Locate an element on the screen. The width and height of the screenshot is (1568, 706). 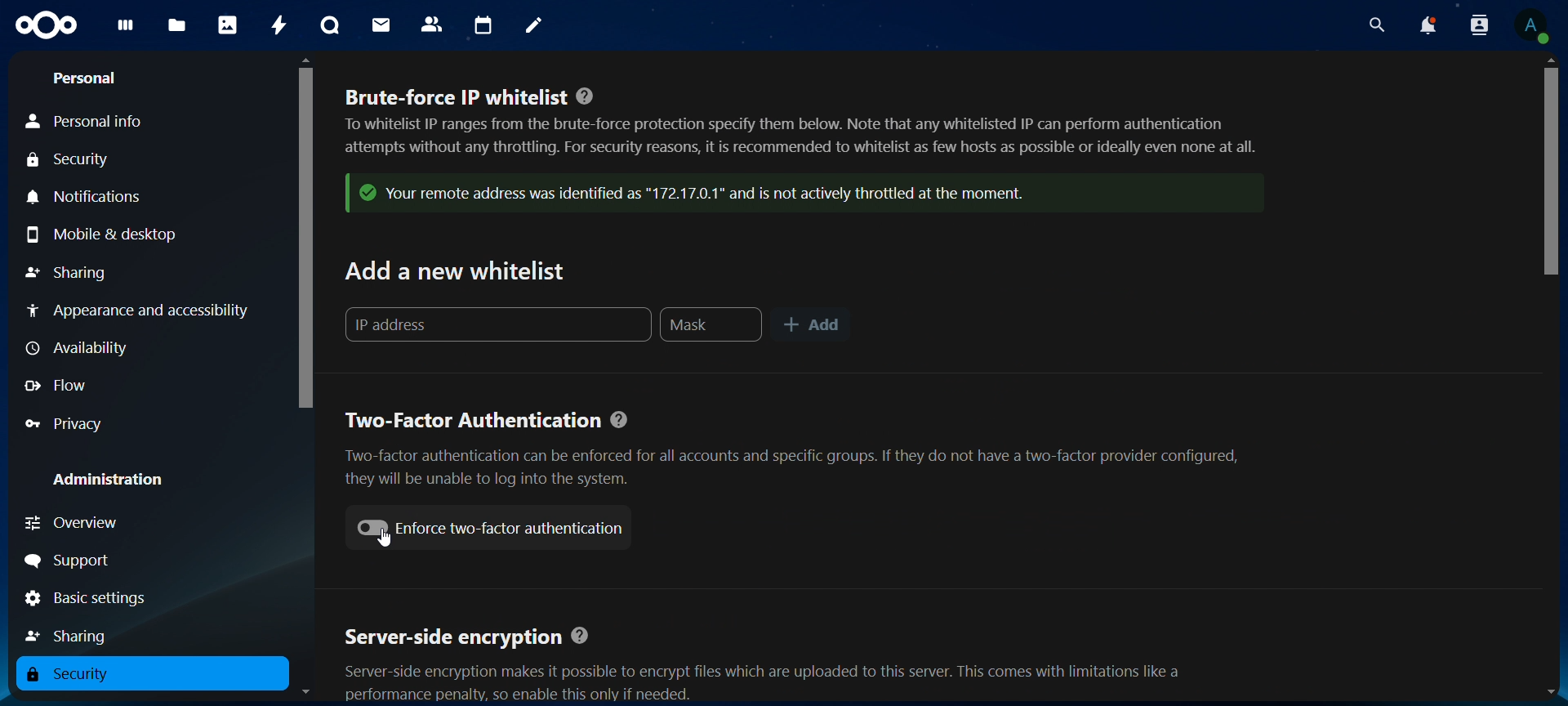
view profile is located at coordinates (1535, 25).